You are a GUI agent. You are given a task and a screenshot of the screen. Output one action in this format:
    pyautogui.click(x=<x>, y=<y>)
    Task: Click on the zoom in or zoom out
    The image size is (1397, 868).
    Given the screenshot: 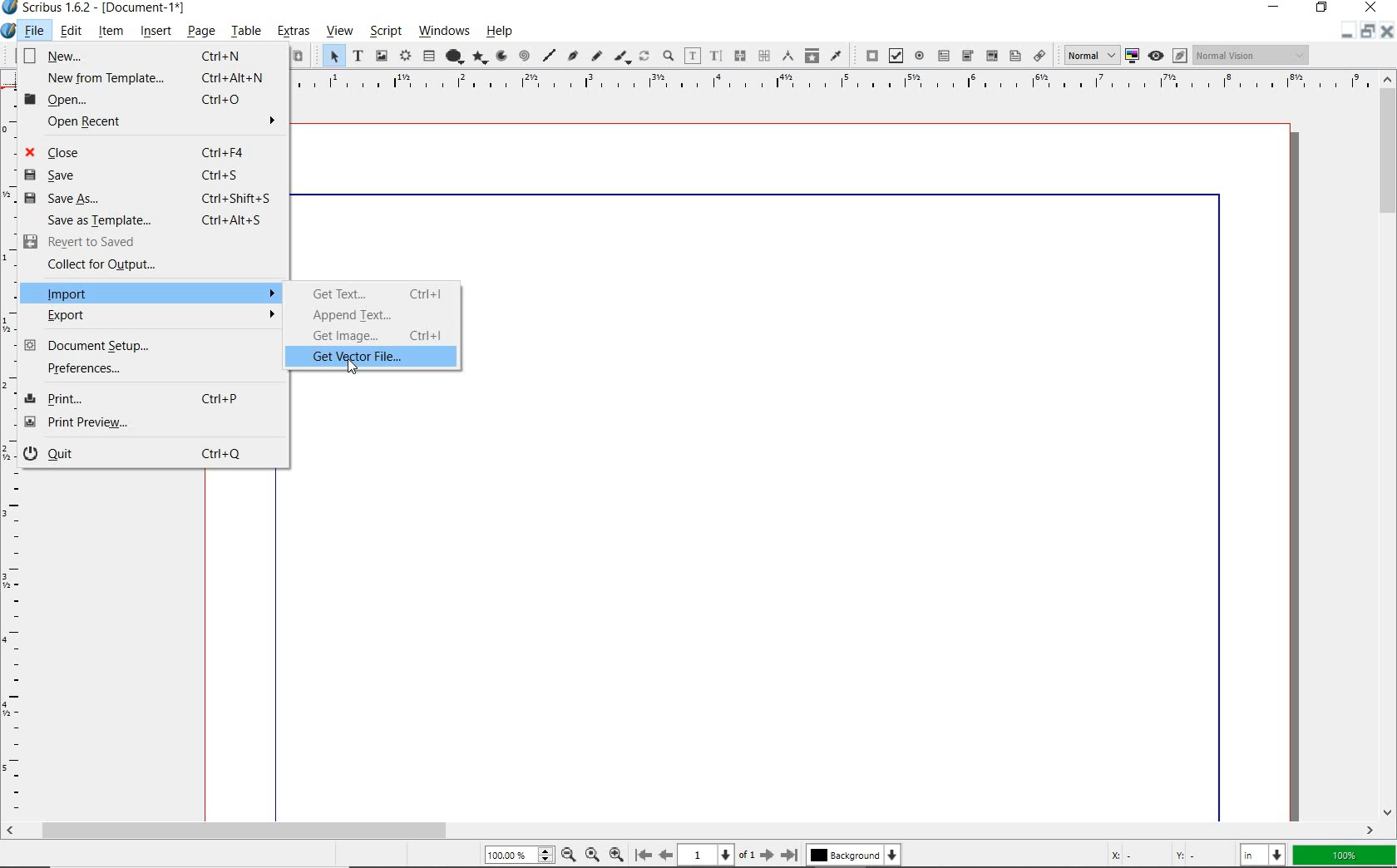 What is the action you would take?
    pyautogui.click(x=669, y=54)
    